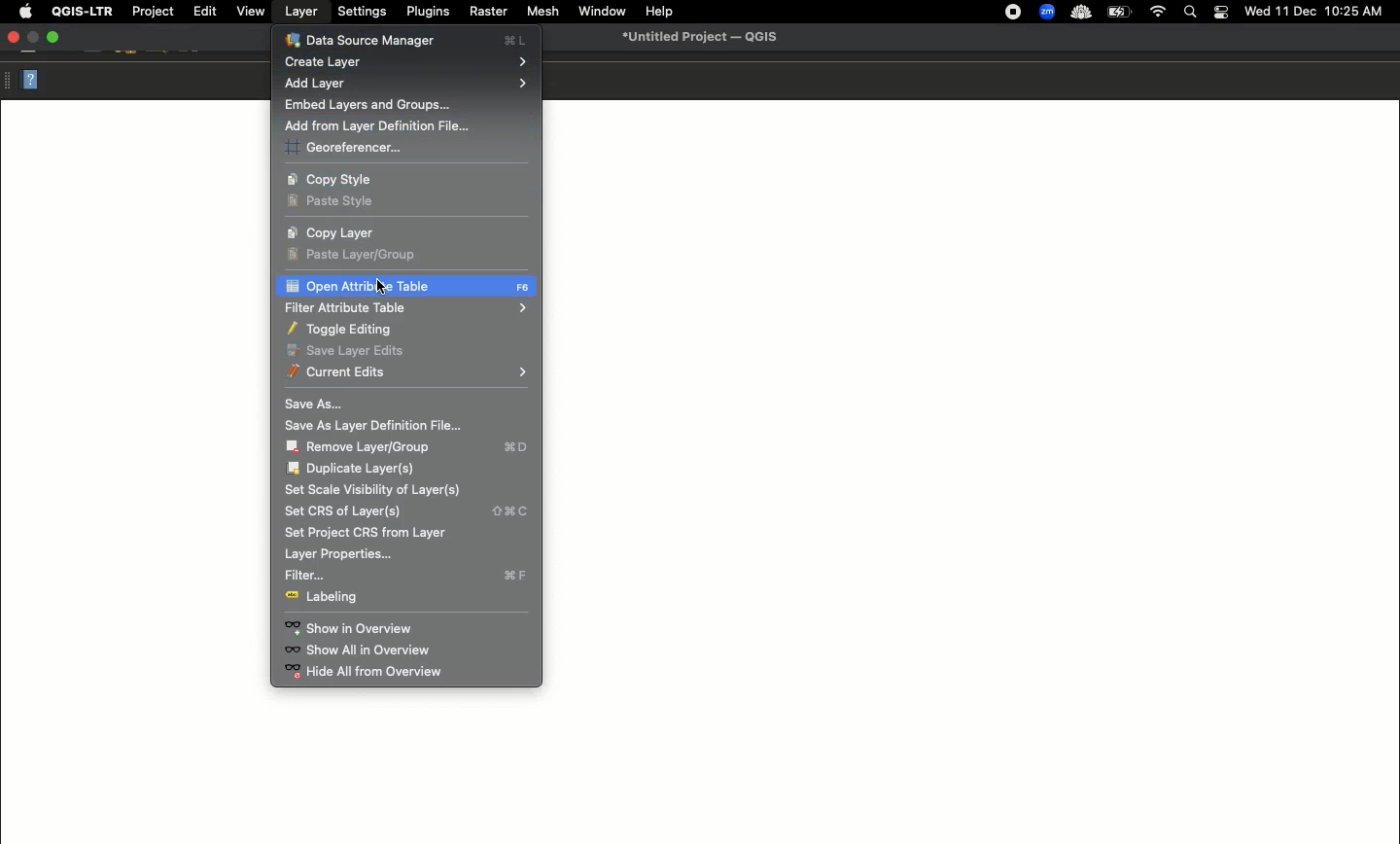 This screenshot has width=1400, height=844. Describe the element at coordinates (378, 672) in the screenshot. I see `Hide all from overview` at that location.